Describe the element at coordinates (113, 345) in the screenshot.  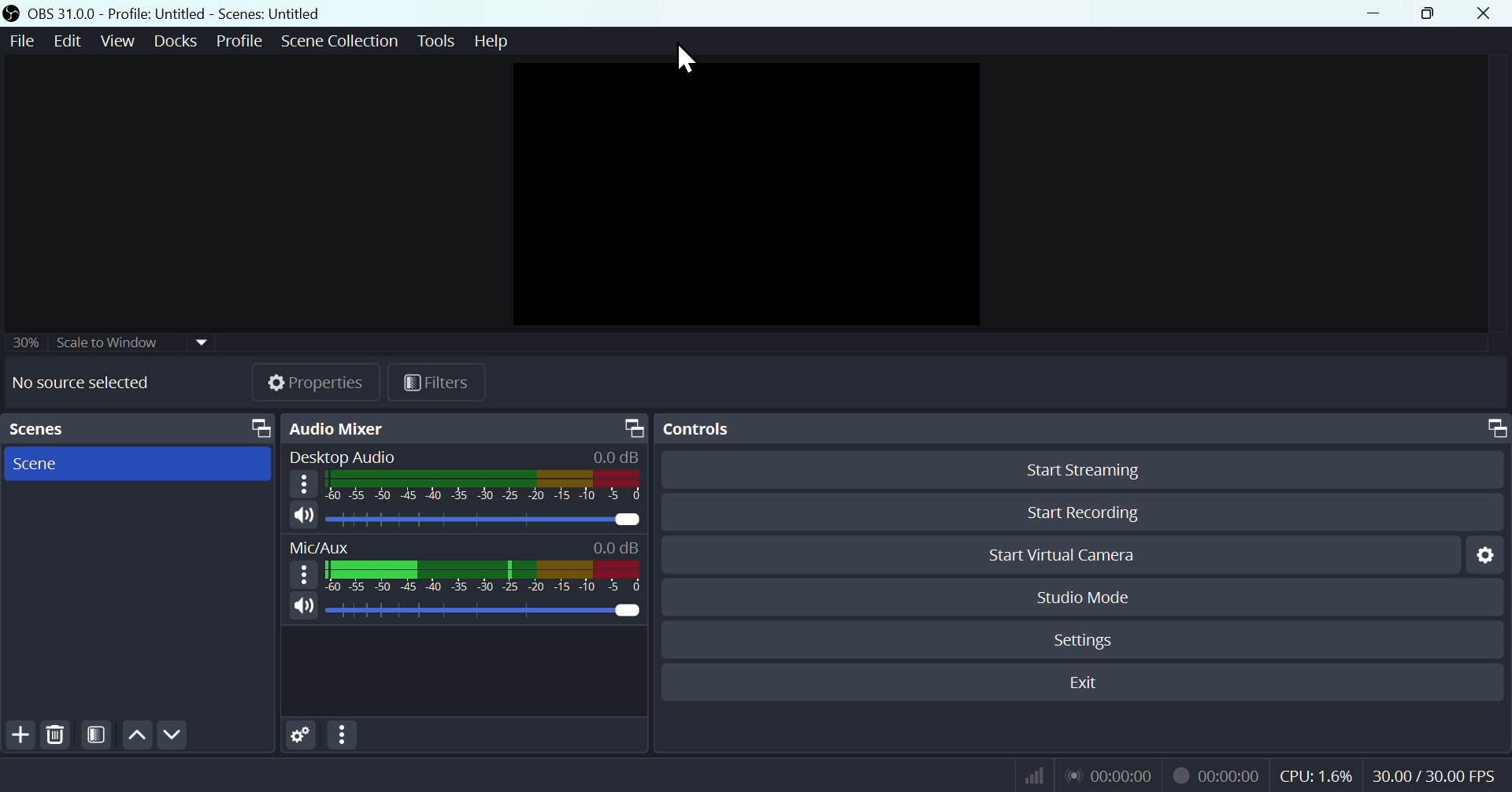
I see `30% Scale to window` at that location.